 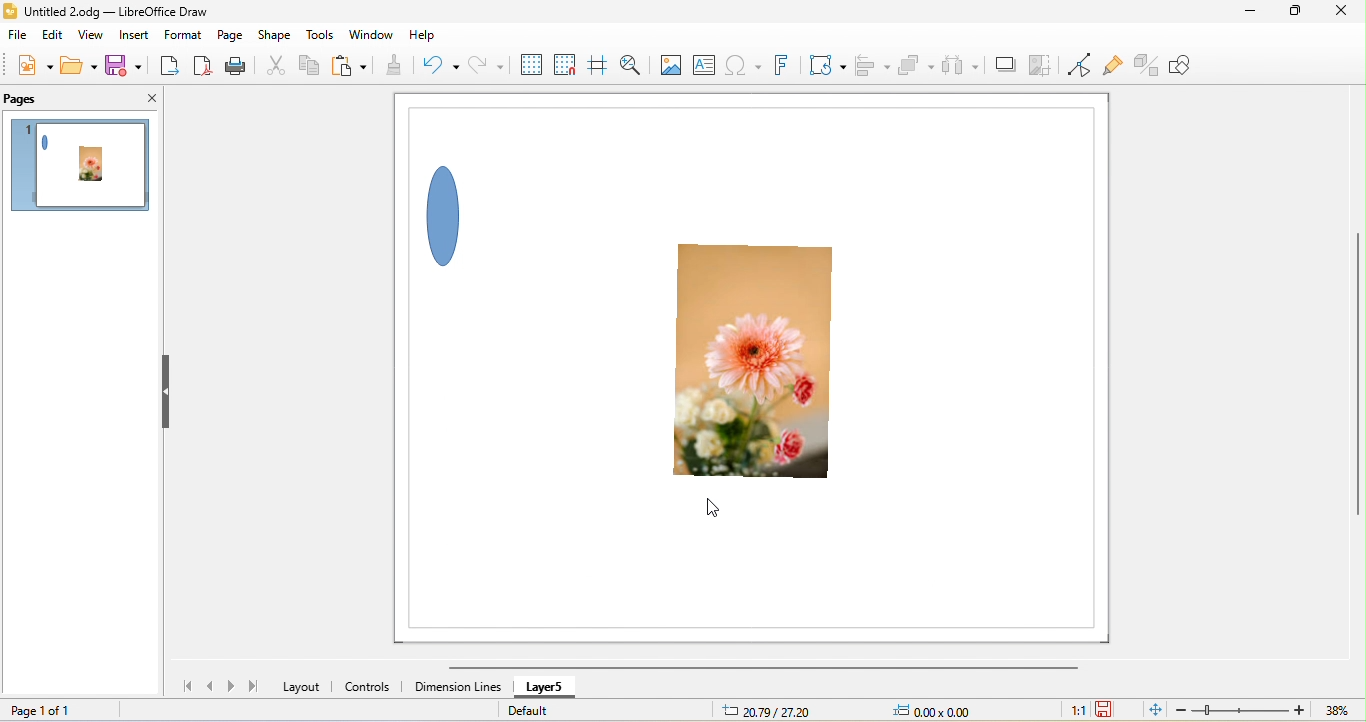 I want to click on vertical scroll bar, so click(x=1354, y=377).